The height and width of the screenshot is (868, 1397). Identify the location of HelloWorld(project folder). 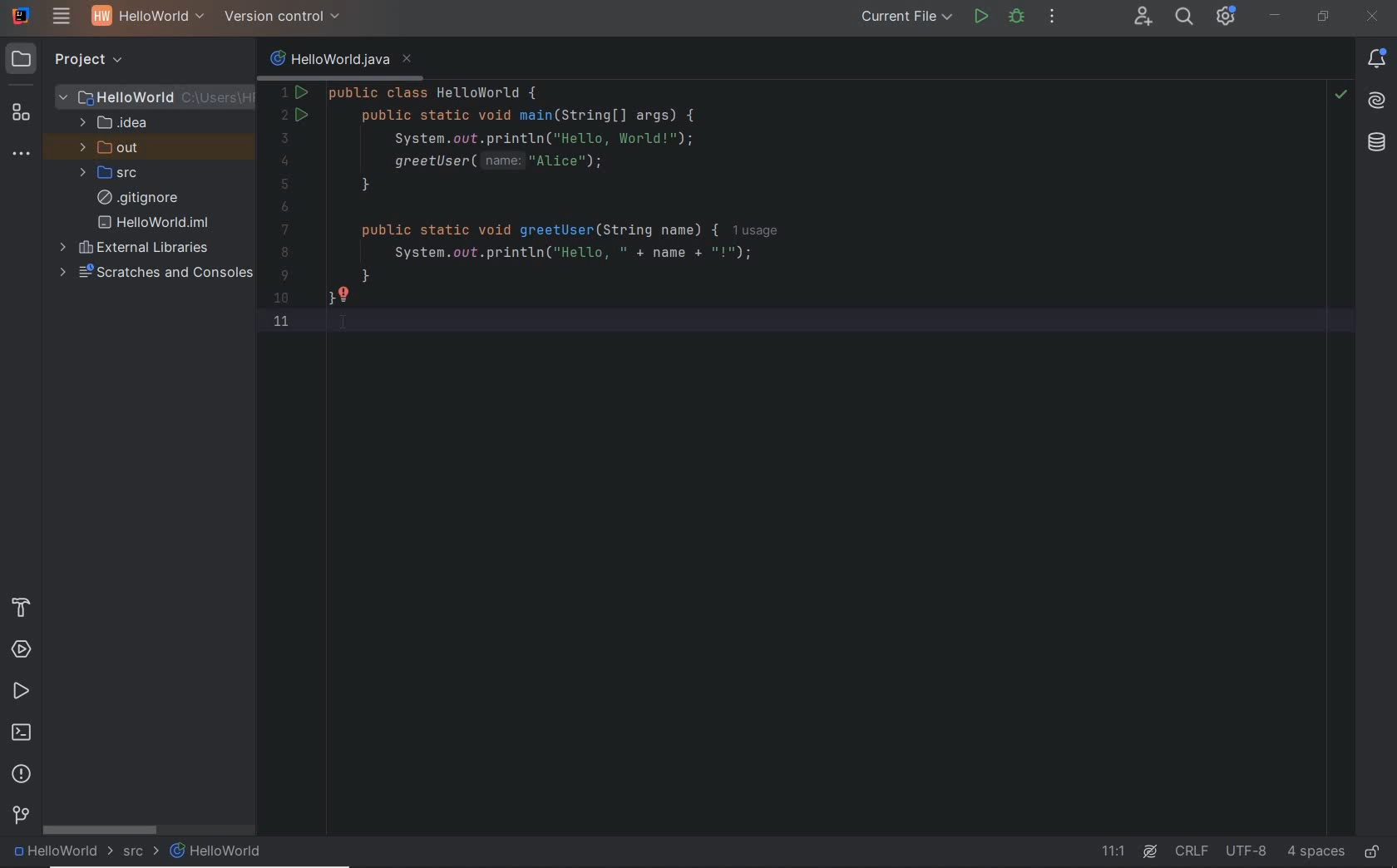
(155, 96).